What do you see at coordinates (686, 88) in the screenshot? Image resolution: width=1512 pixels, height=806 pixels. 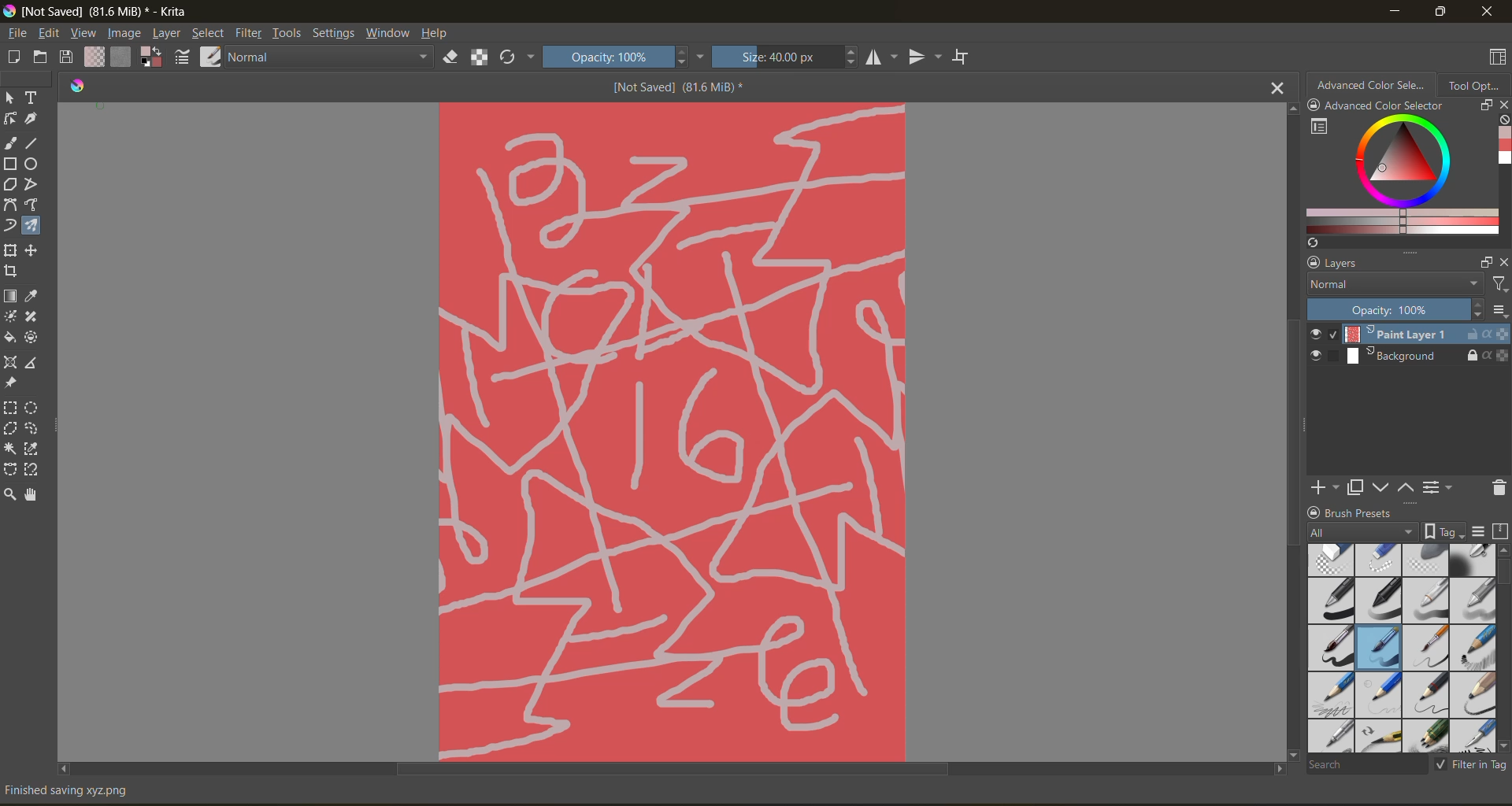 I see `[Not Saved] (81.6 MiB) *` at bounding box center [686, 88].